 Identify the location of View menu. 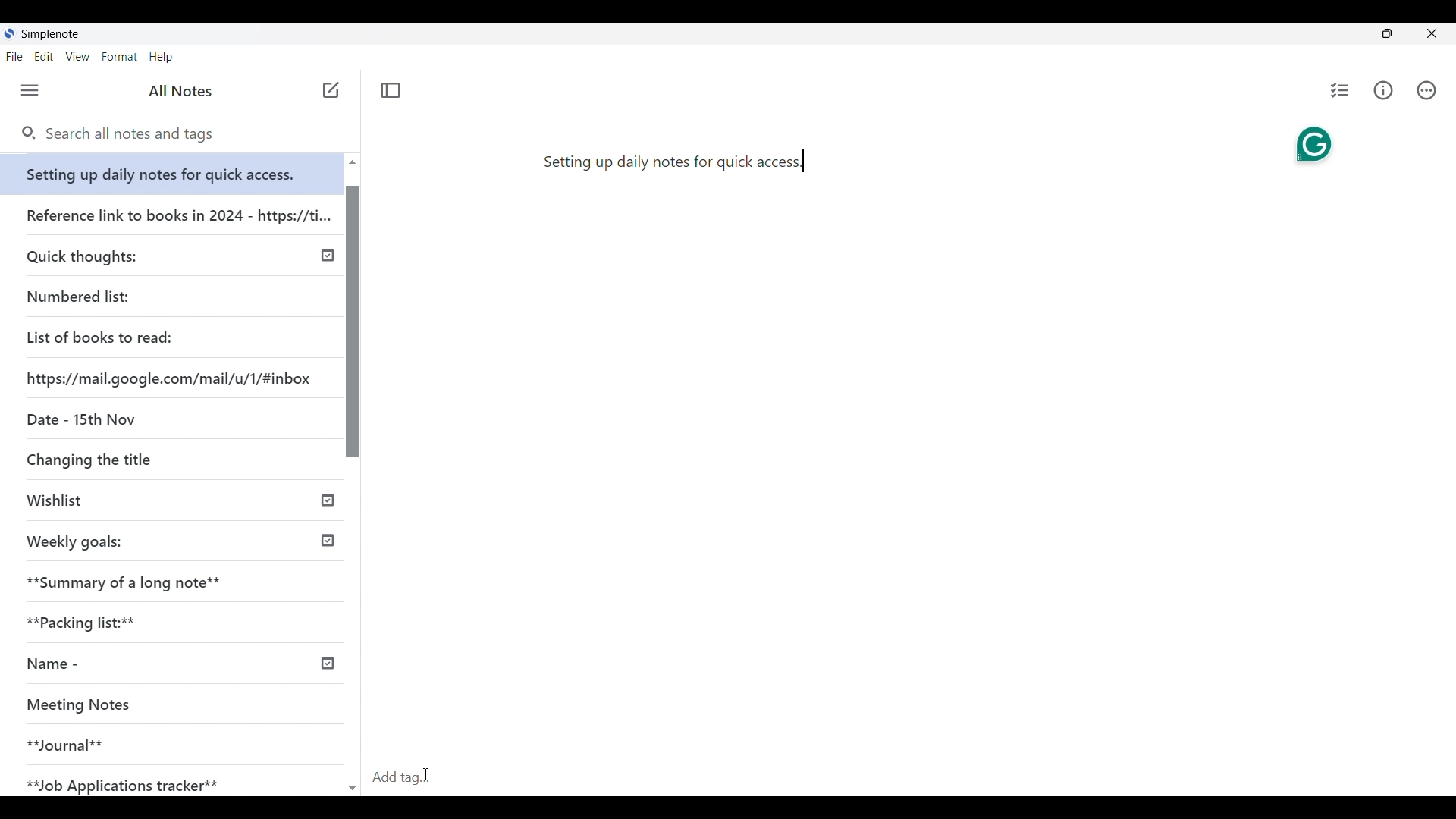
(77, 57).